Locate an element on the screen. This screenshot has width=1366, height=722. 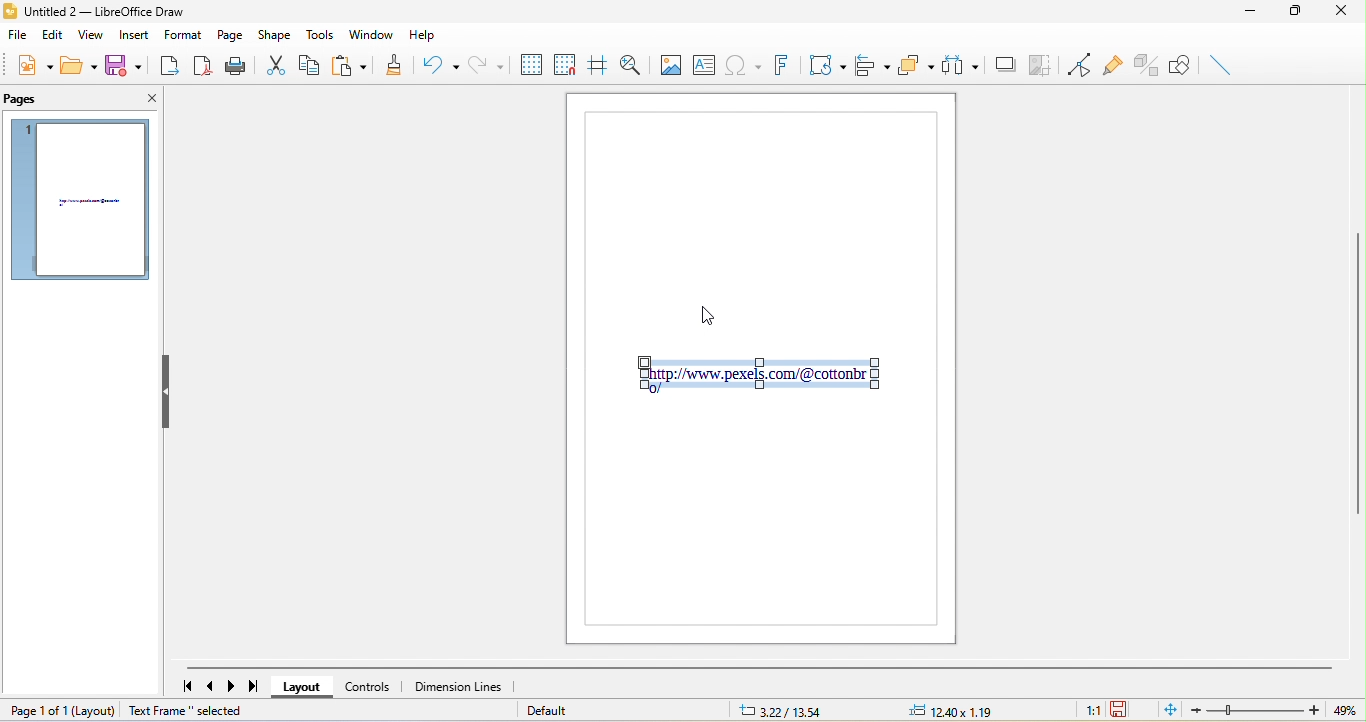
image is located at coordinates (670, 64).